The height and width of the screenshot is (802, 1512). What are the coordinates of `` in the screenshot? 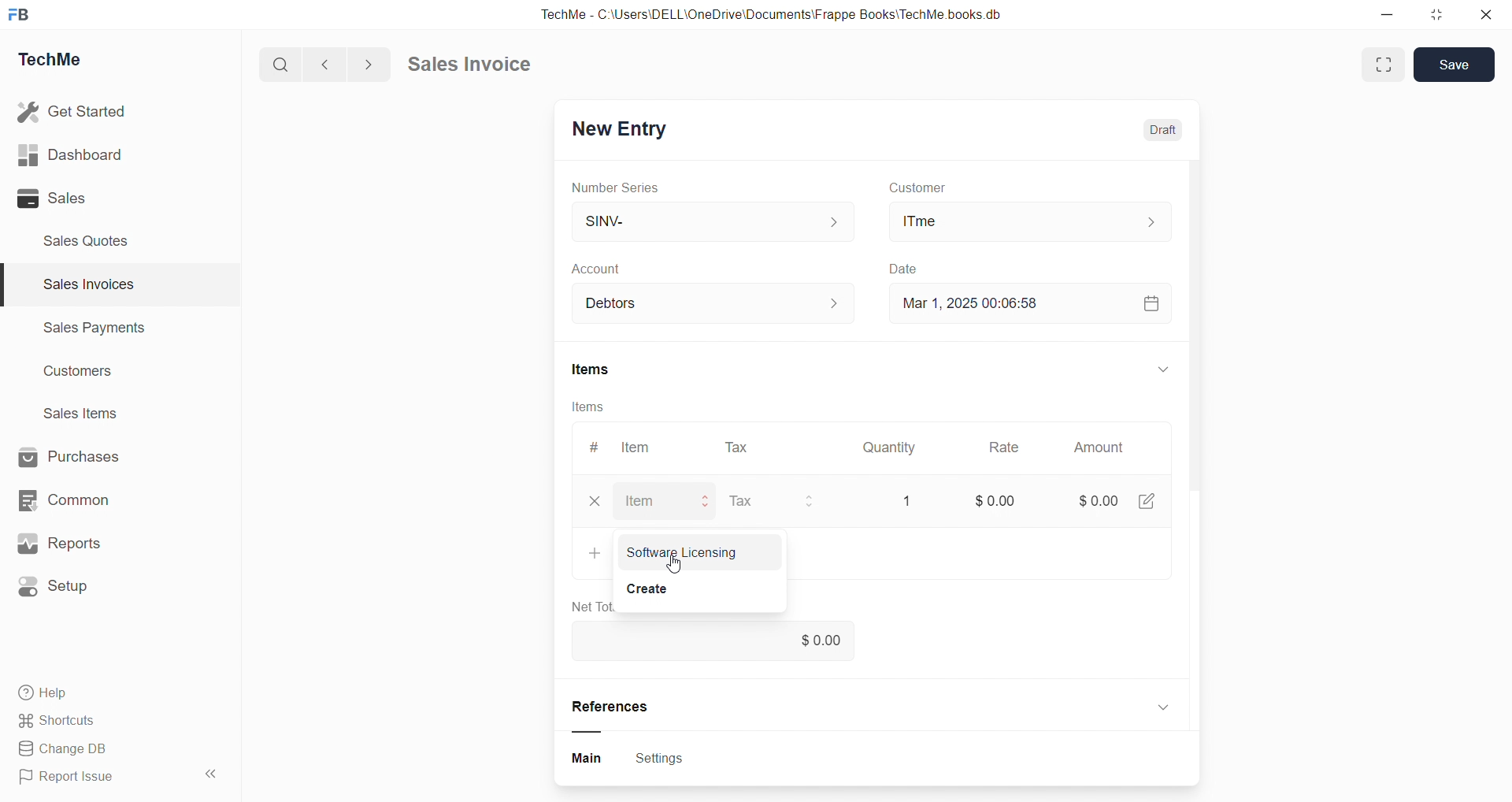 It's located at (587, 759).